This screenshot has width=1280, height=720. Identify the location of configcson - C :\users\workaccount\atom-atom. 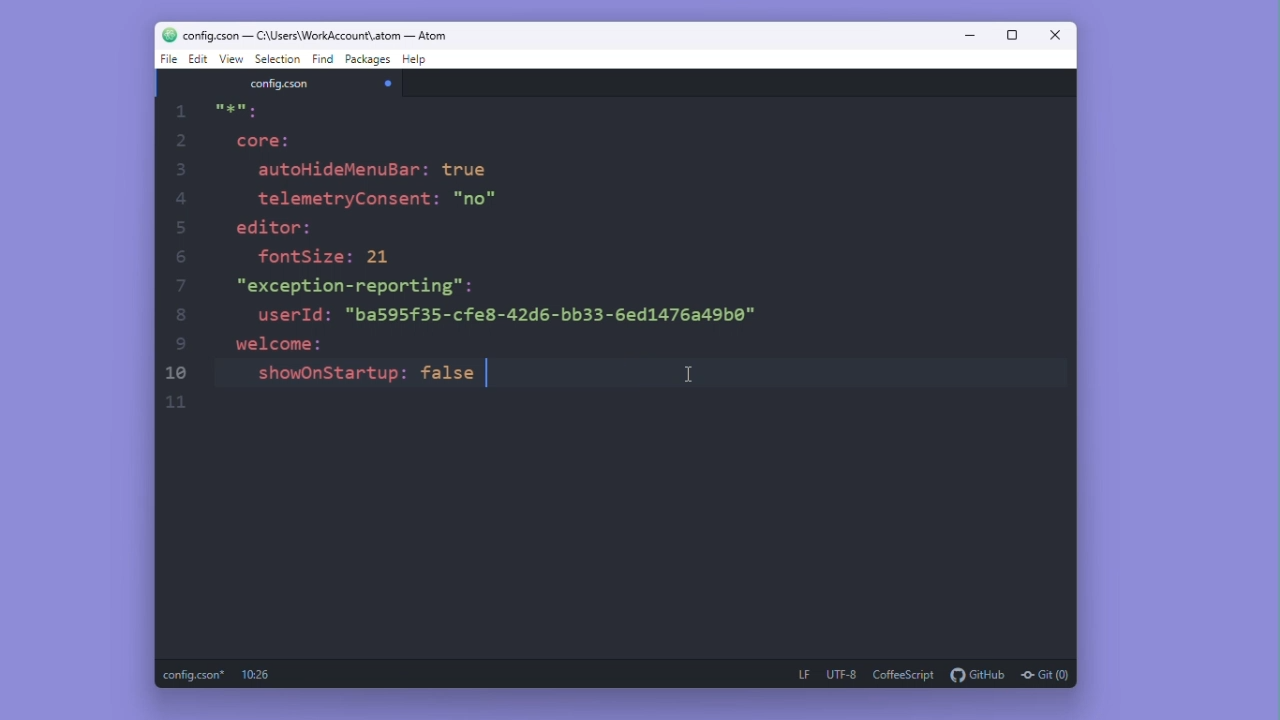
(317, 35).